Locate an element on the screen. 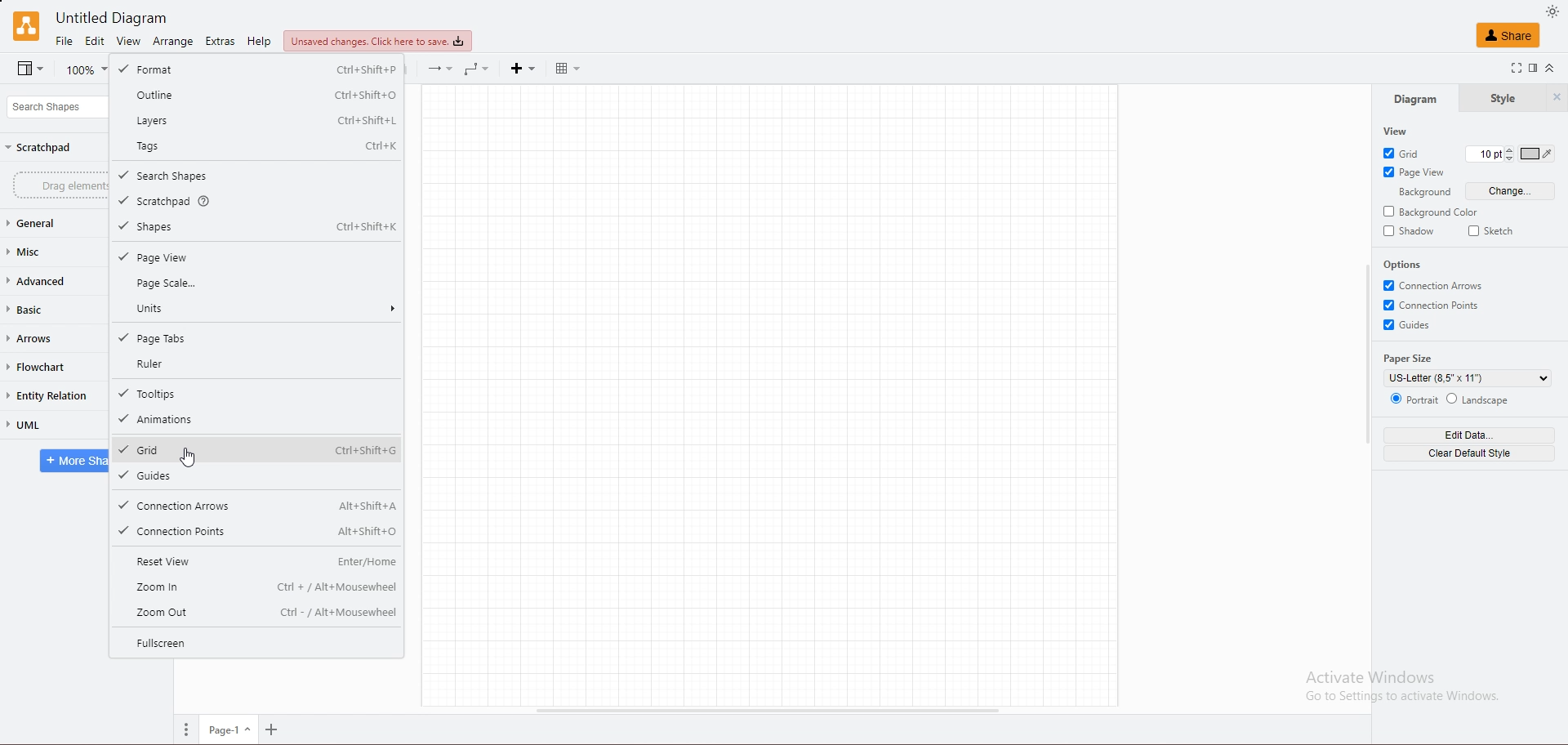 The height and width of the screenshot is (745, 1568). format is located at coordinates (1535, 68).